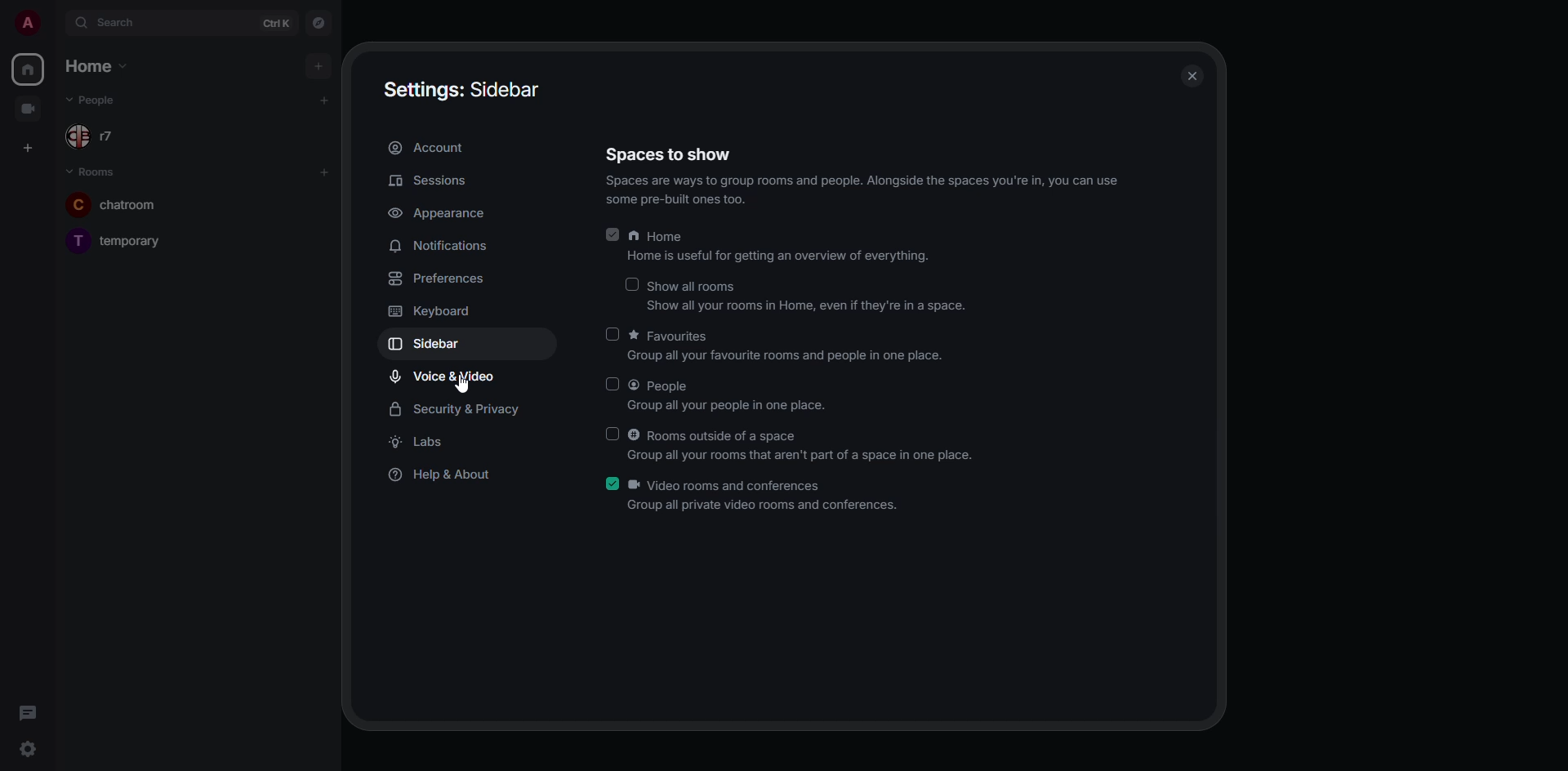 The width and height of the screenshot is (1568, 771). What do you see at coordinates (419, 443) in the screenshot?
I see `labs` at bounding box center [419, 443].